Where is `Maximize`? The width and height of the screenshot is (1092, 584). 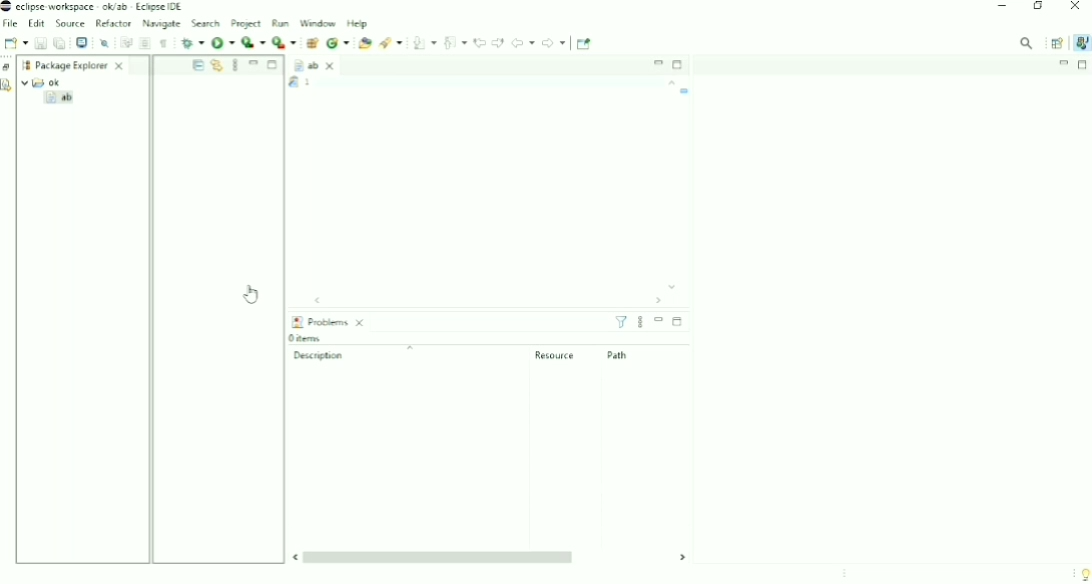
Maximize is located at coordinates (677, 321).